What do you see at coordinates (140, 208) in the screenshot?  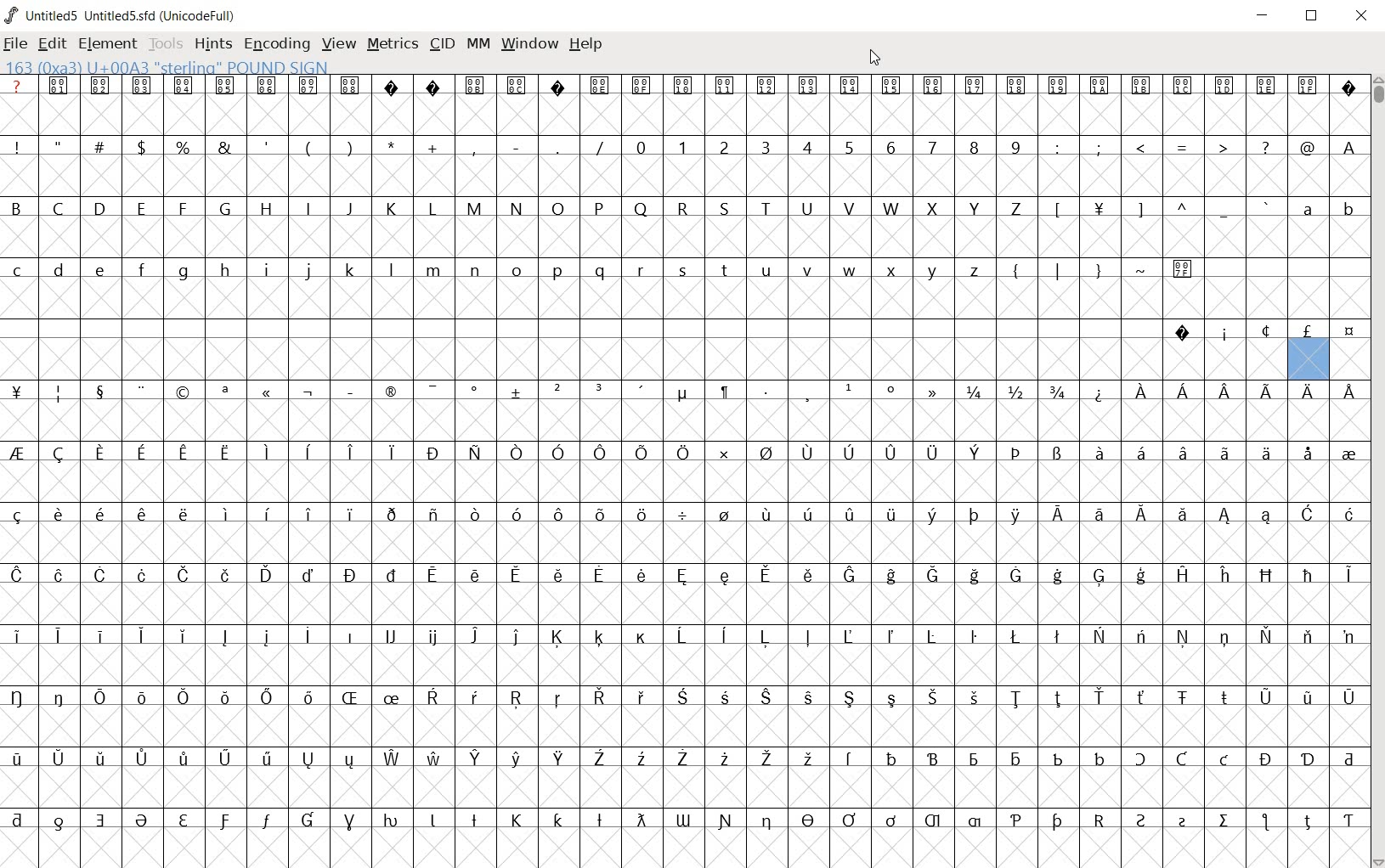 I see `E` at bounding box center [140, 208].